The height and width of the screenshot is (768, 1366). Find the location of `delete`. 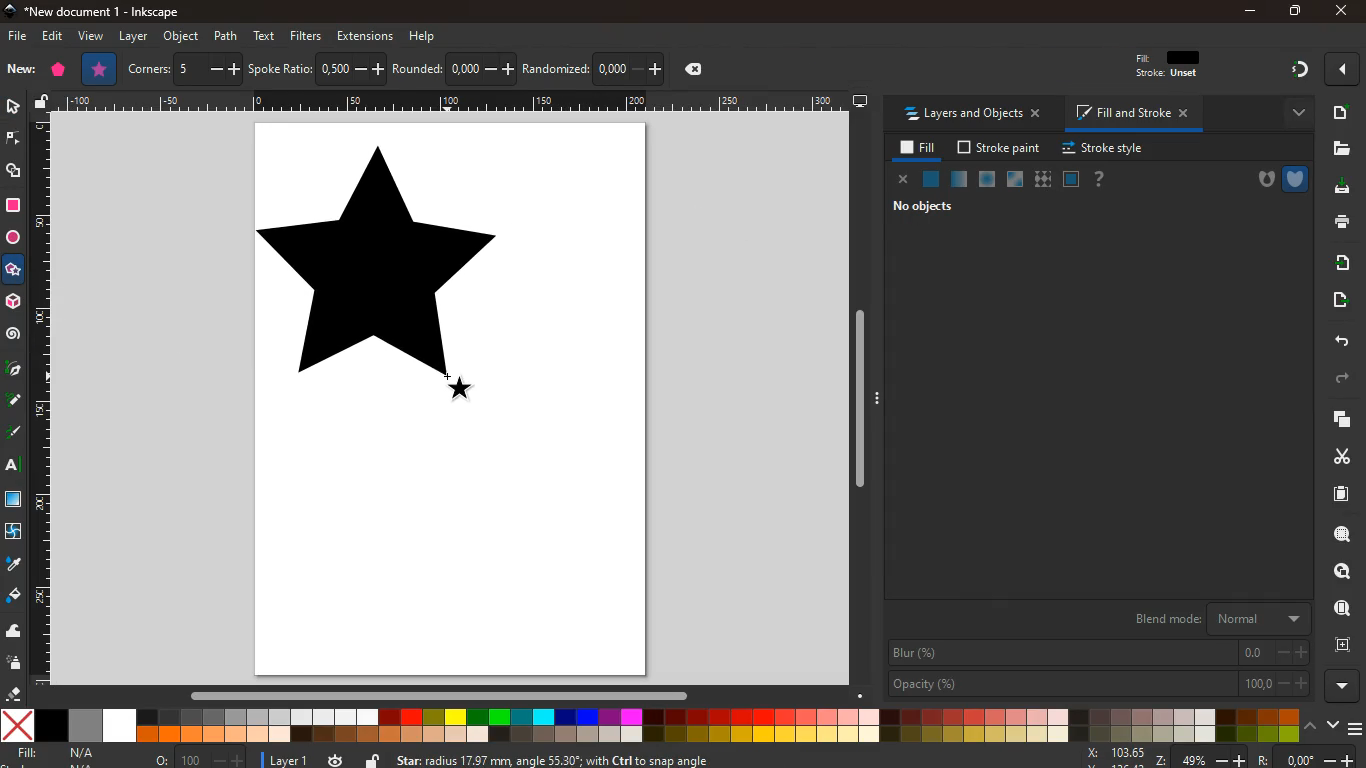

delete is located at coordinates (698, 71).